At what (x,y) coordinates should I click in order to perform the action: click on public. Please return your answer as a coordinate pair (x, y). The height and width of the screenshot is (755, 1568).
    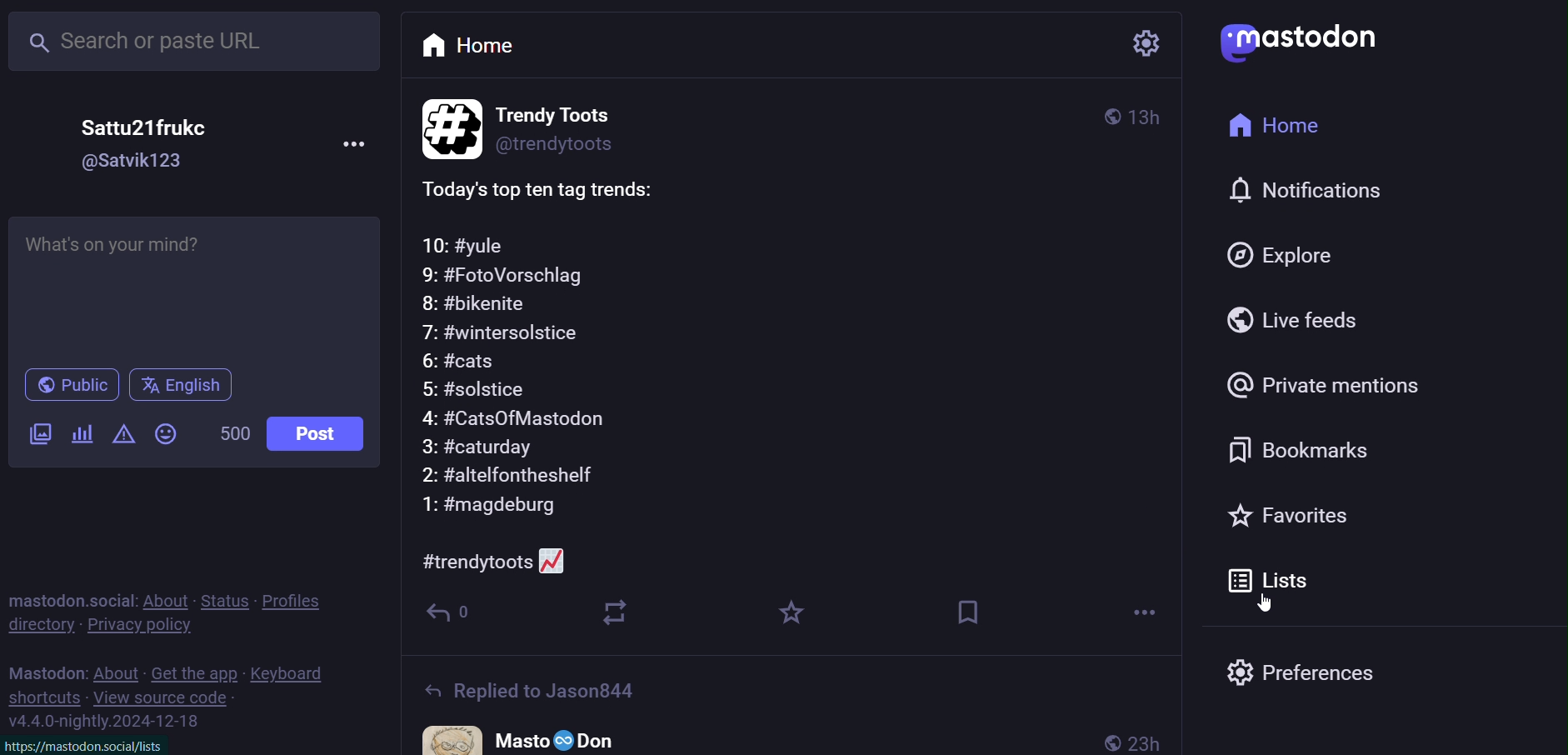
    Looking at the image, I should click on (69, 384).